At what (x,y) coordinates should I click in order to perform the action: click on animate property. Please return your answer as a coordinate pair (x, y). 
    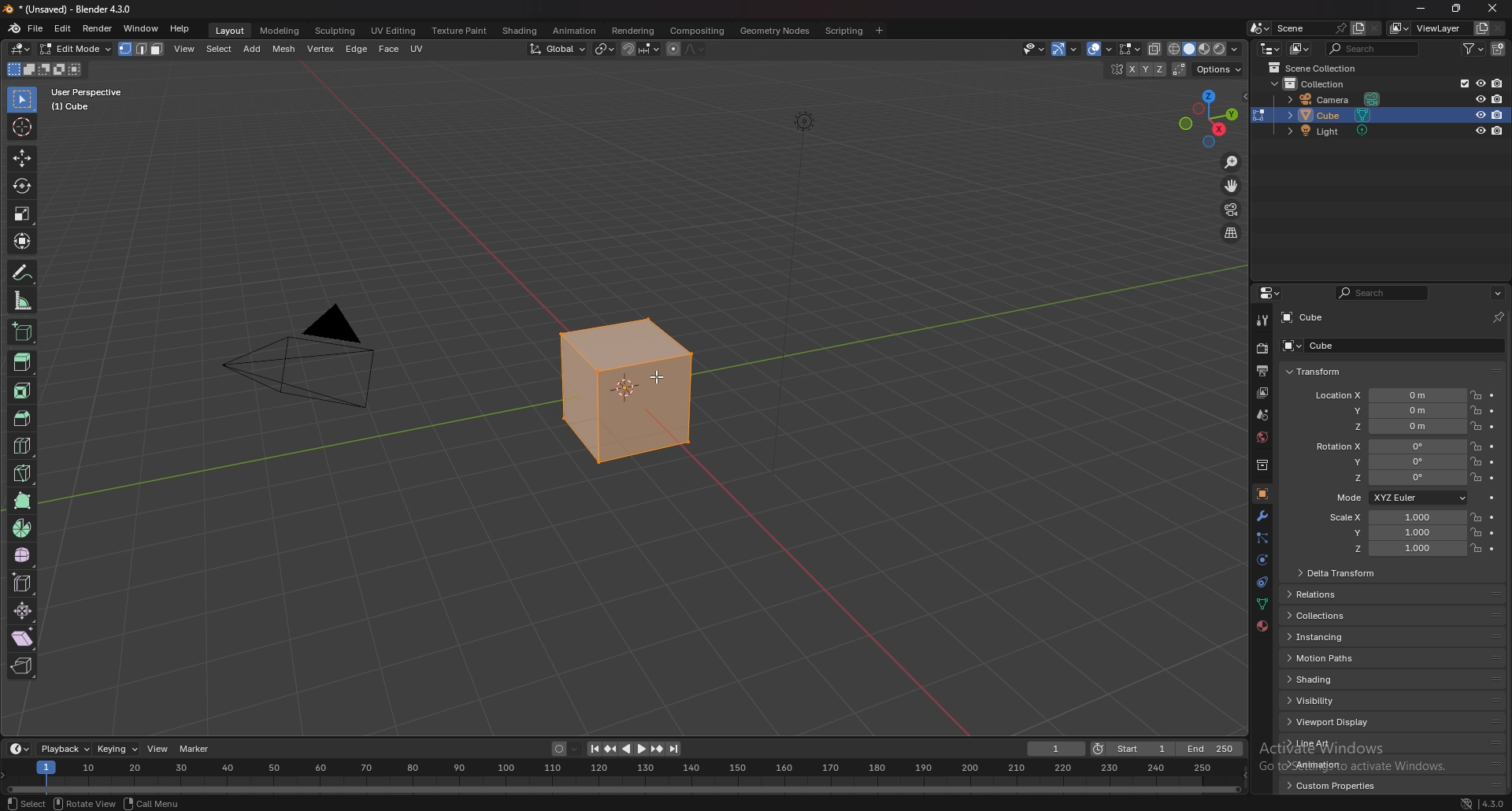
    Looking at the image, I should click on (1492, 411).